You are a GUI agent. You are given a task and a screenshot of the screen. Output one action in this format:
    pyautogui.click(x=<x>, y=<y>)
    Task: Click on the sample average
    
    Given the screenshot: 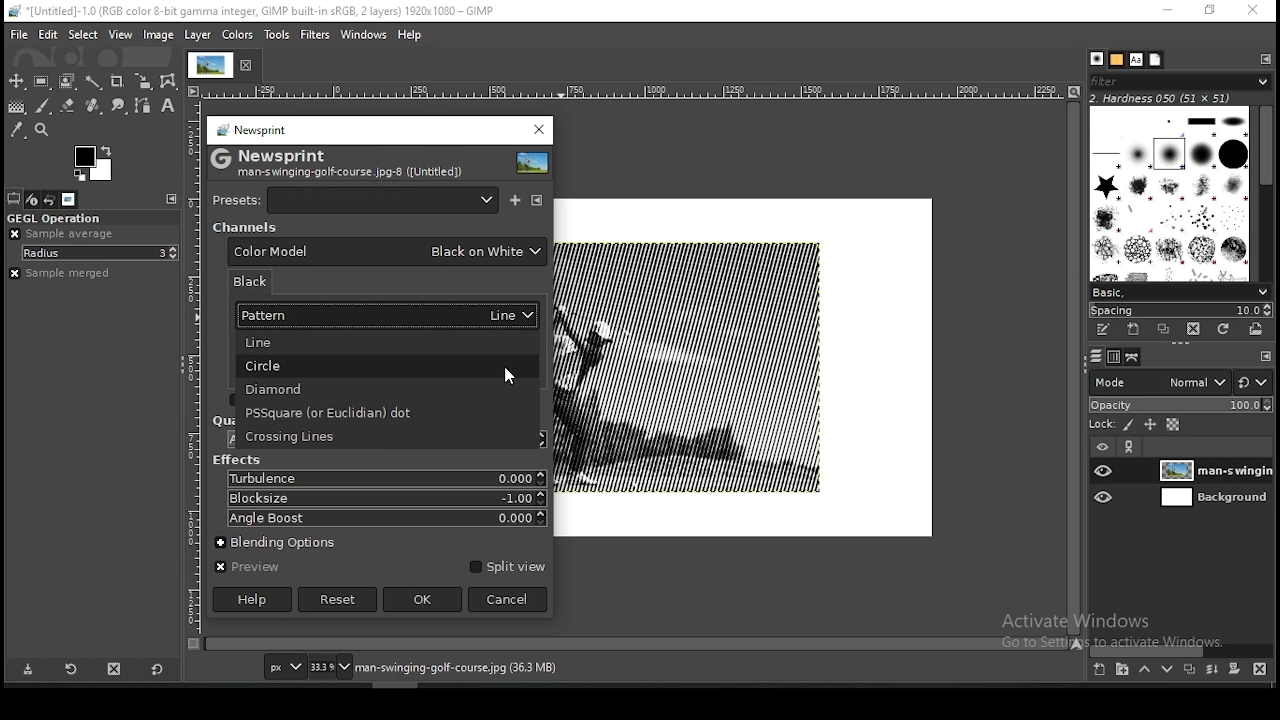 What is the action you would take?
    pyautogui.click(x=65, y=234)
    